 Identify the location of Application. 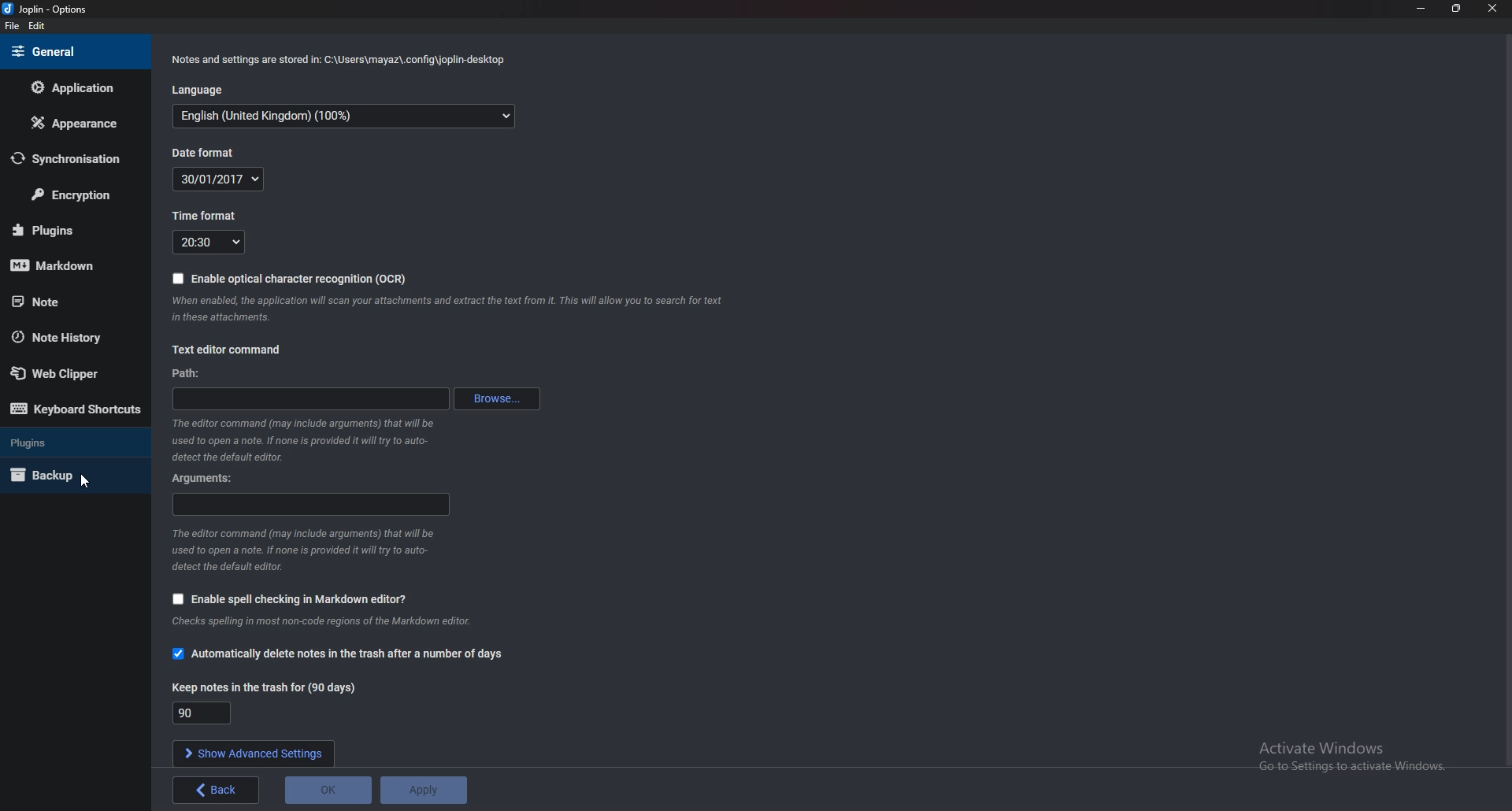
(72, 87).